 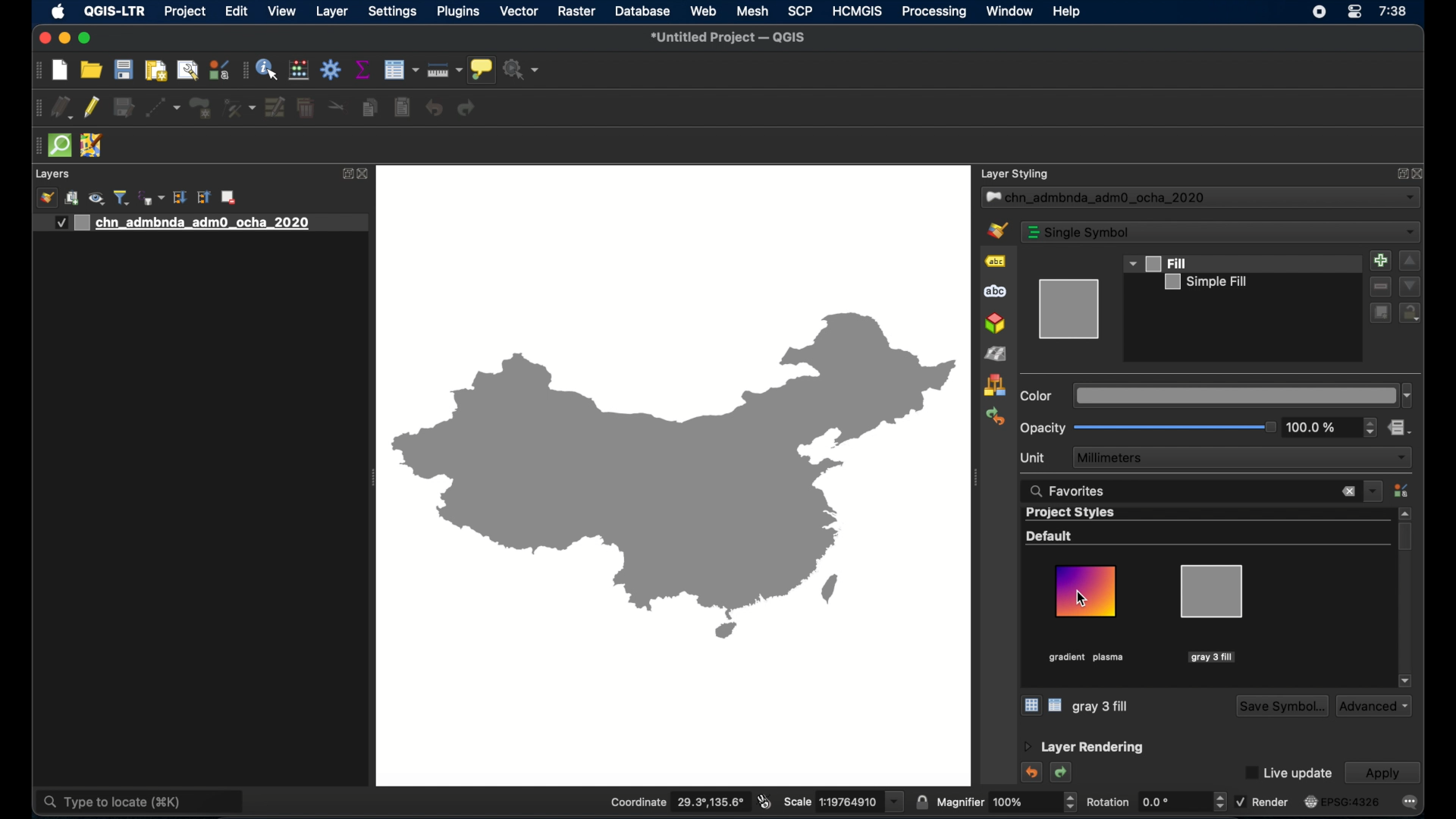 I want to click on close, so click(x=44, y=39).